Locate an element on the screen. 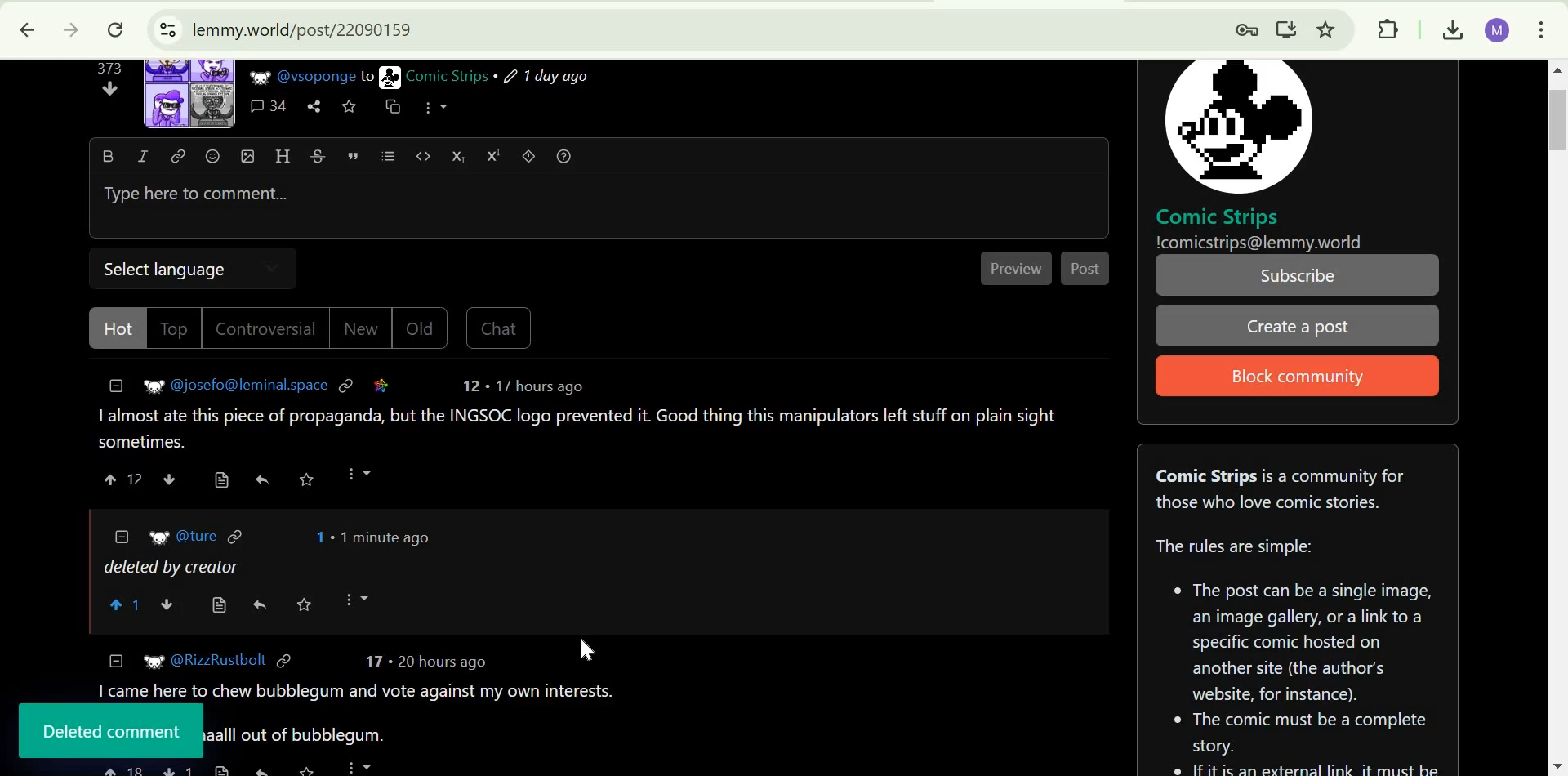 The image size is (1568, 776). Post is located at coordinates (1087, 268).